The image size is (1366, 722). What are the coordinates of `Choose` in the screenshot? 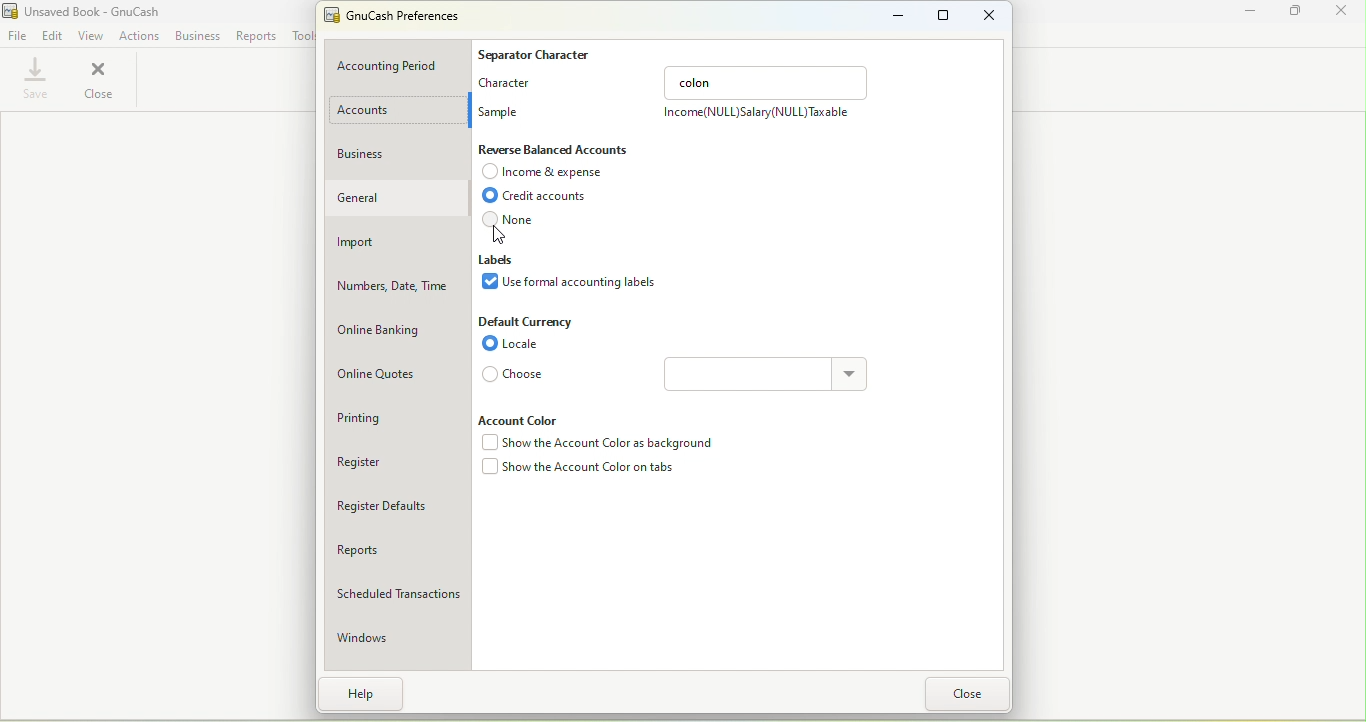 It's located at (512, 376).